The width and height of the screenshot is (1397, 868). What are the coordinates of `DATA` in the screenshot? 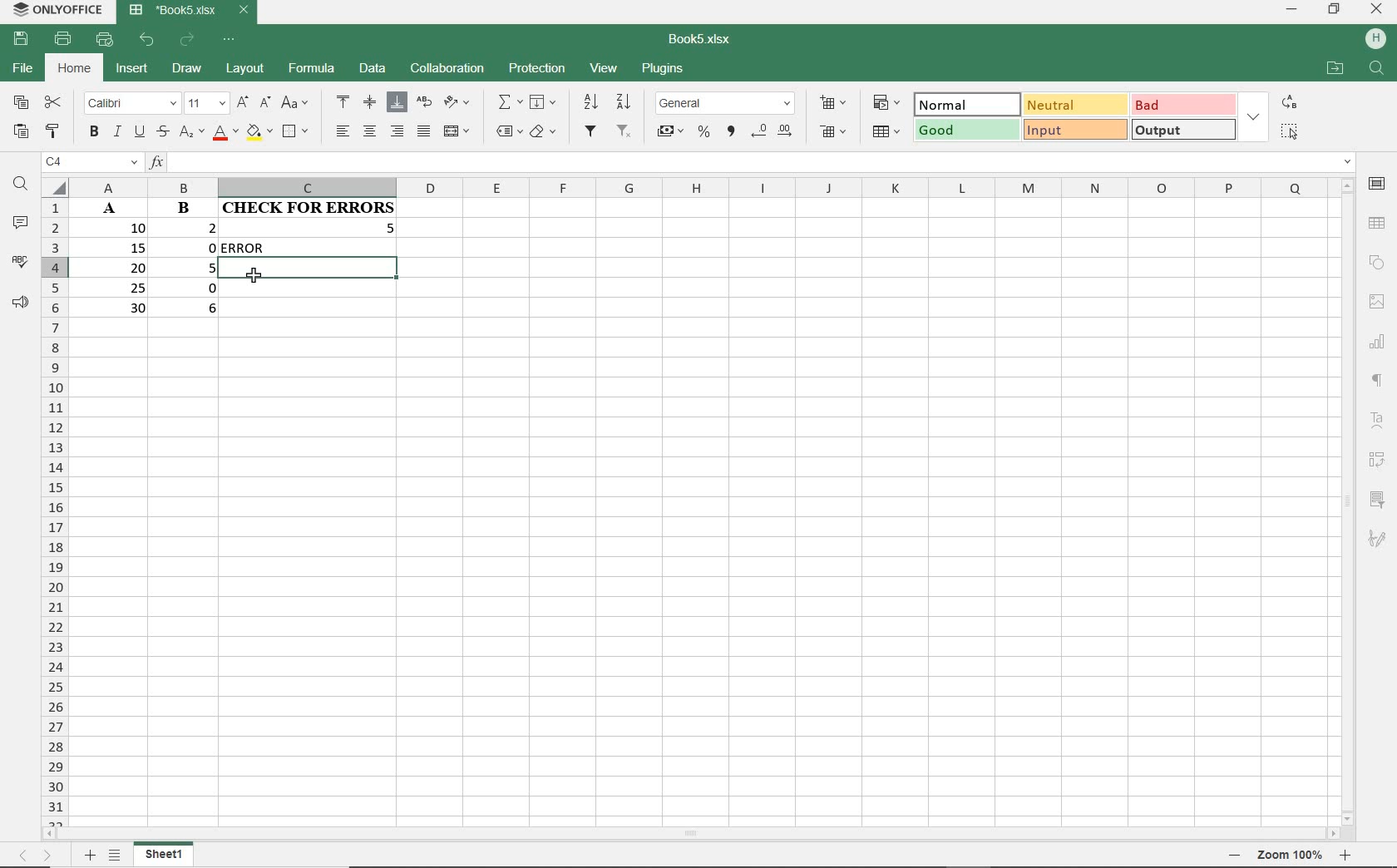 It's located at (370, 67).